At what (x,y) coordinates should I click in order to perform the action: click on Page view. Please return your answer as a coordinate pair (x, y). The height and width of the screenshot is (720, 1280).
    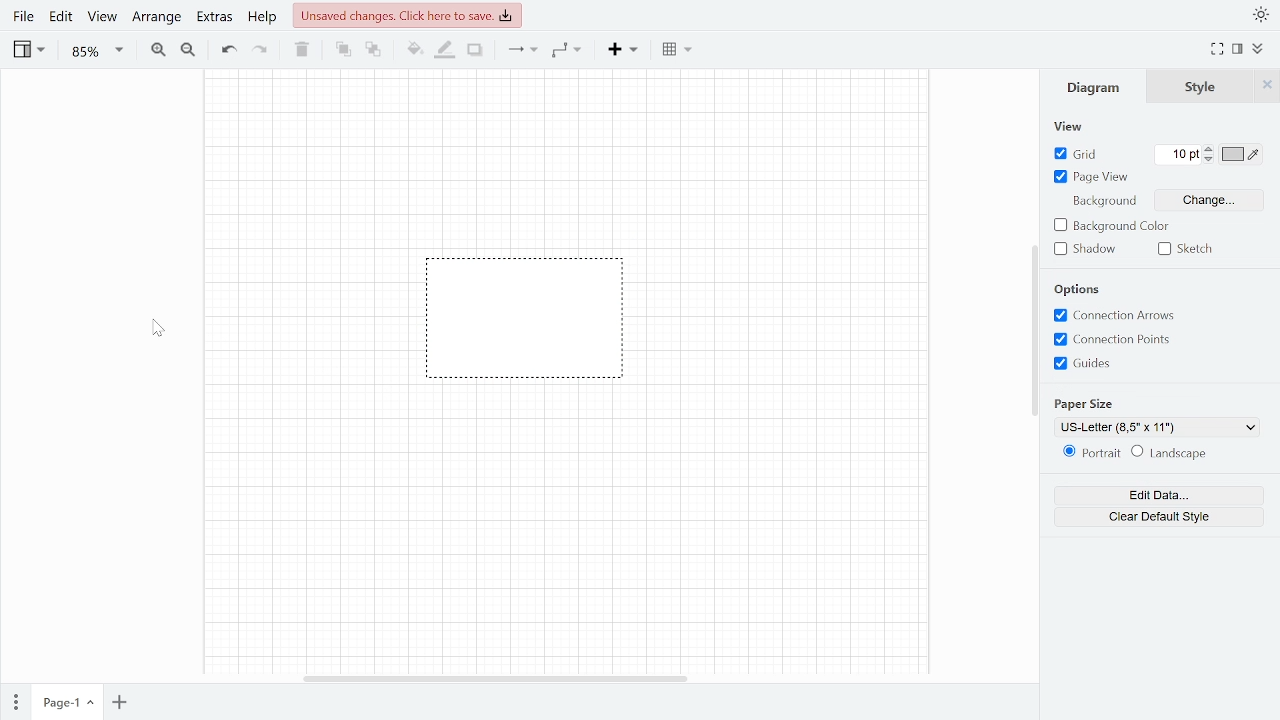
    Looking at the image, I should click on (1093, 179).